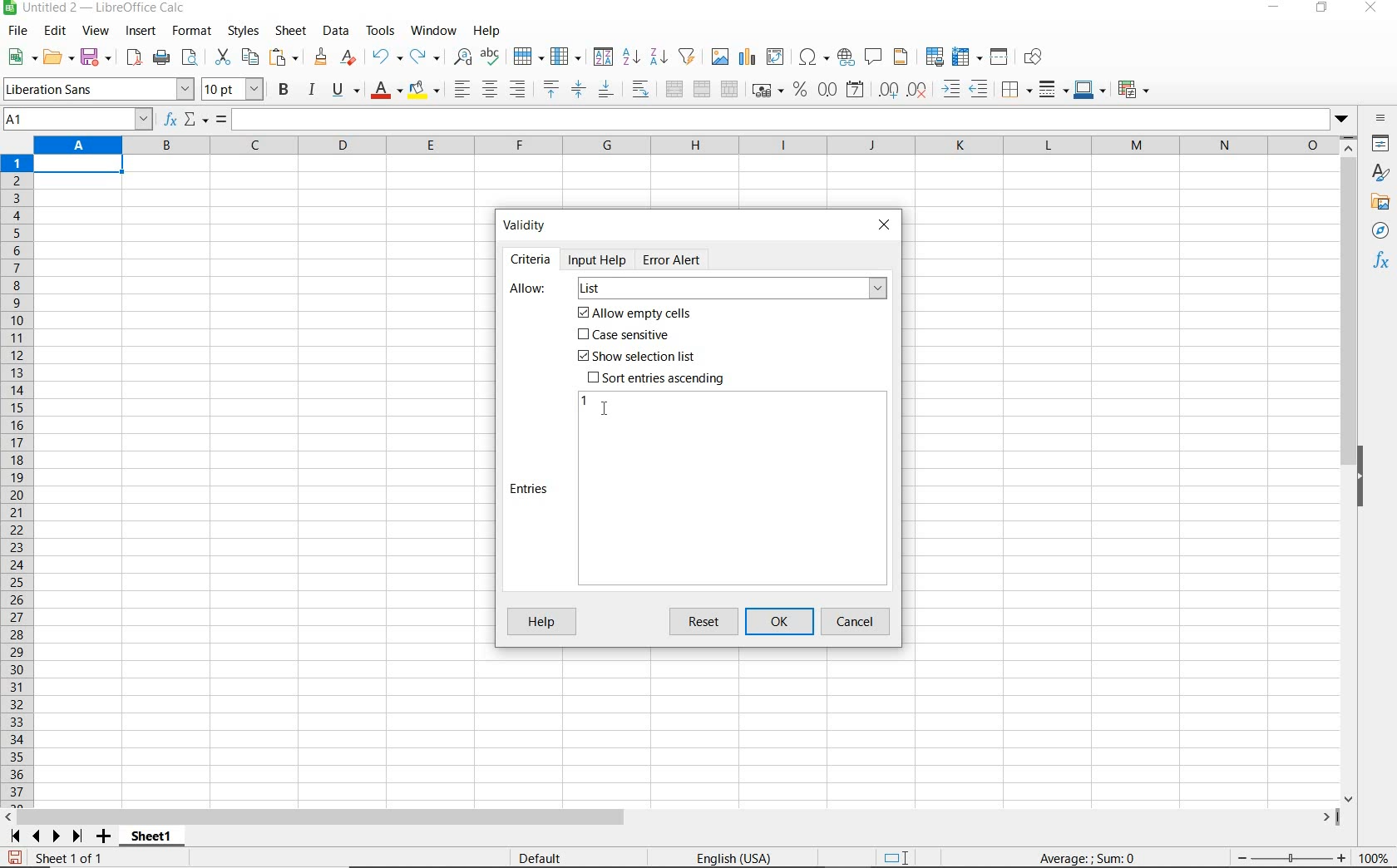 The height and width of the screenshot is (868, 1397). Describe the element at coordinates (783, 622) in the screenshot. I see `ok` at that location.